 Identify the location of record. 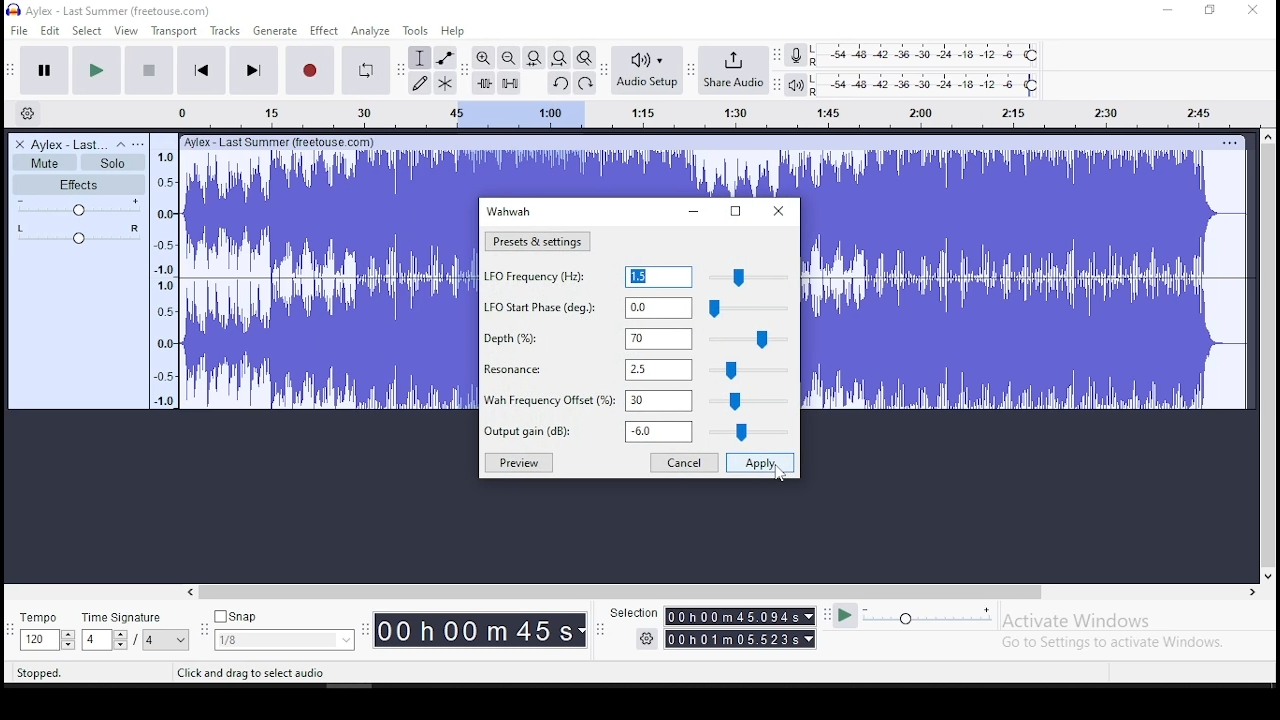
(312, 70).